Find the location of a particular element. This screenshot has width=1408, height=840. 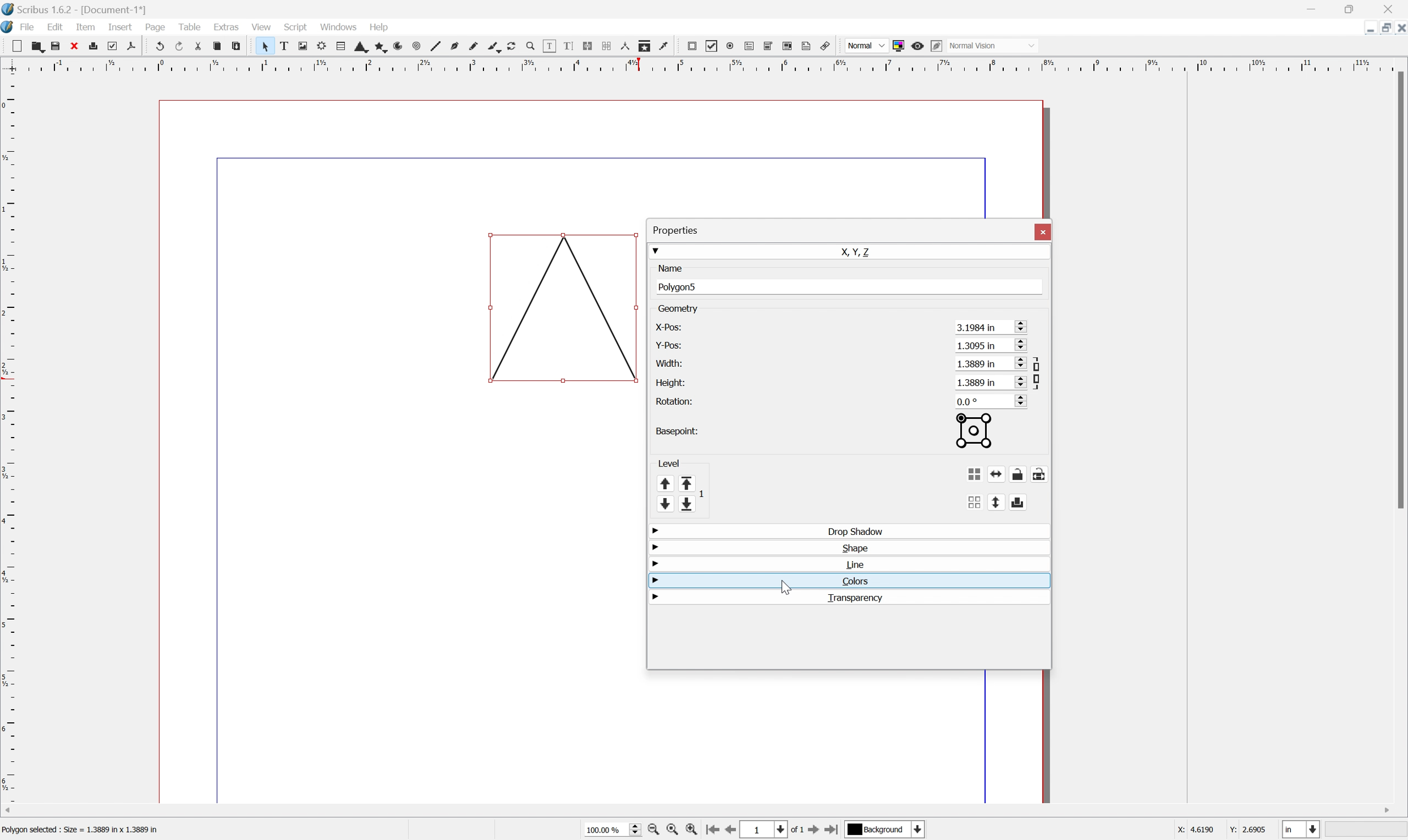

X: 4.6190 is located at coordinates (1192, 830).